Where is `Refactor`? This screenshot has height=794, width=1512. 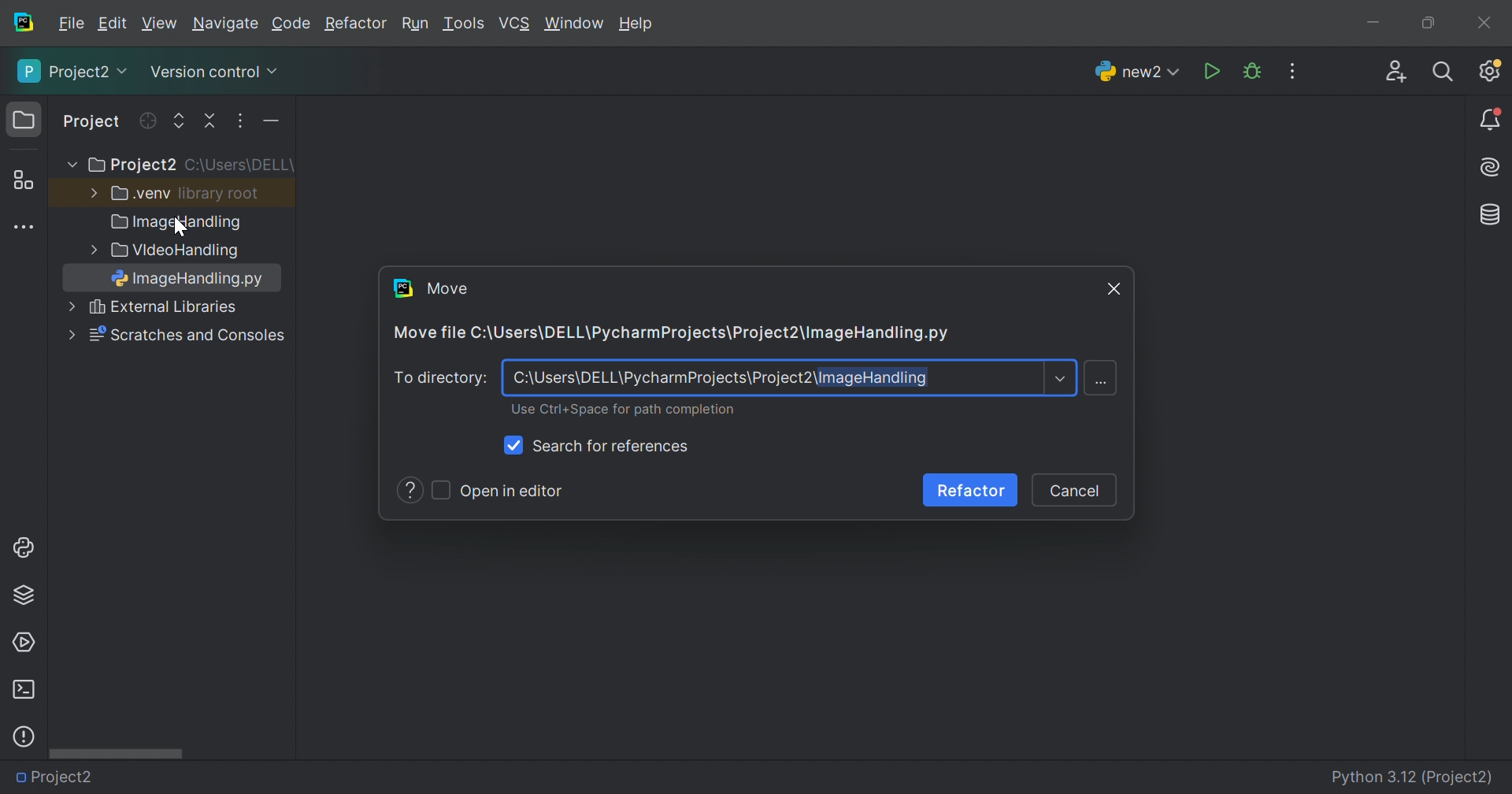 Refactor is located at coordinates (354, 25).